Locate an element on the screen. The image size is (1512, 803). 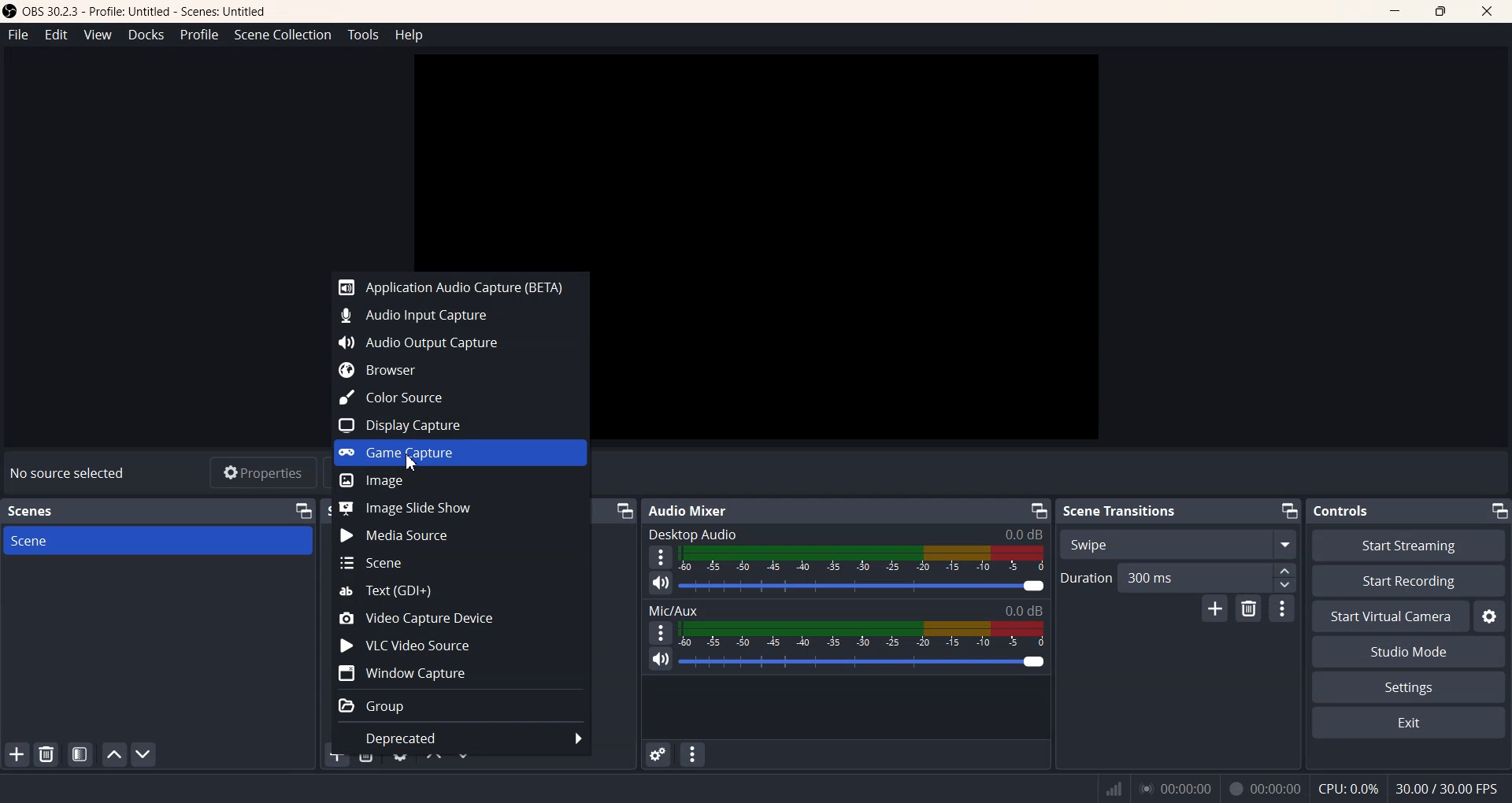
Move Scene Up is located at coordinates (114, 755).